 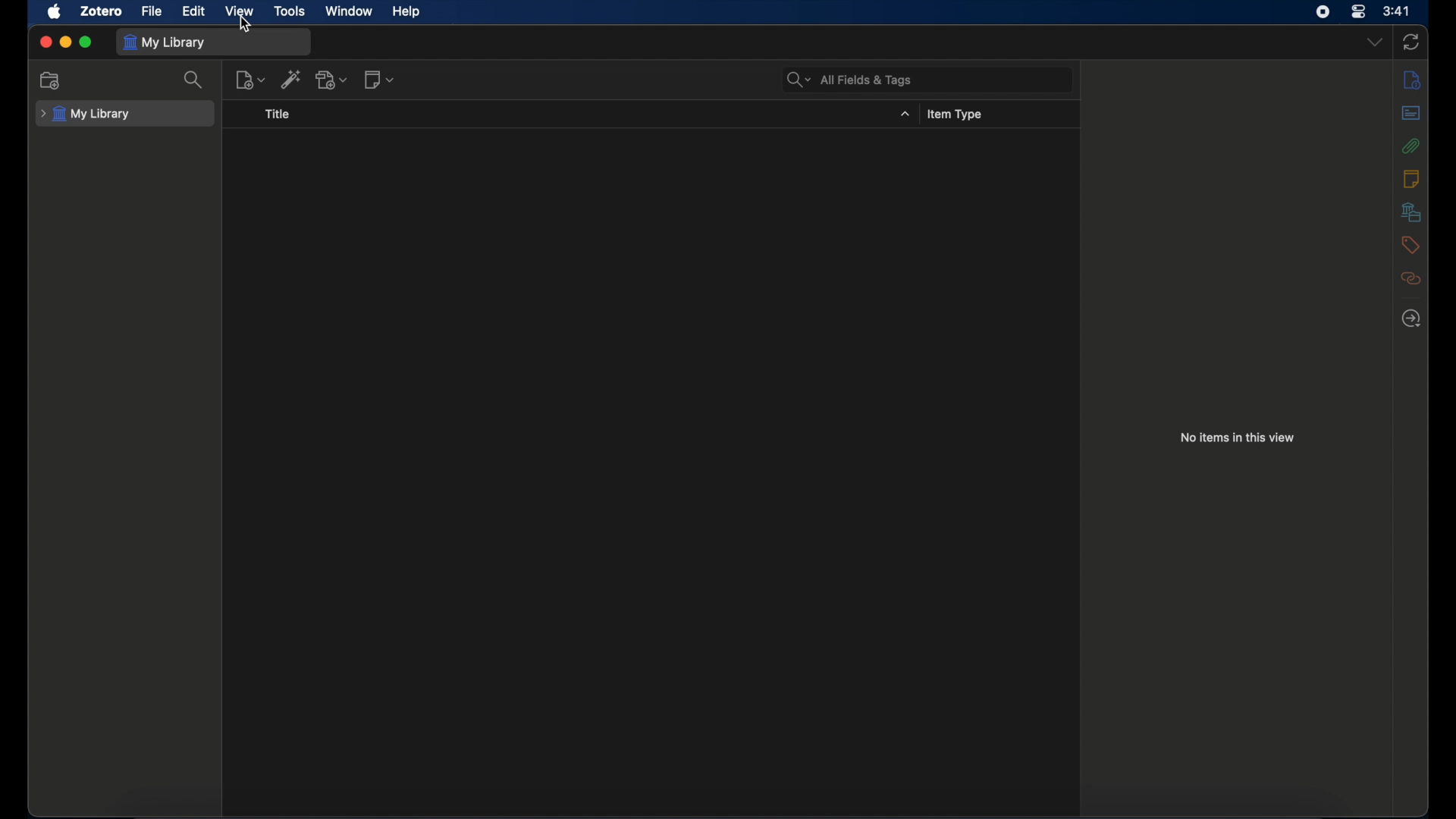 What do you see at coordinates (1375, 42) in the screenshot?
I see `dropdown` at bounding box center [1375, 42].